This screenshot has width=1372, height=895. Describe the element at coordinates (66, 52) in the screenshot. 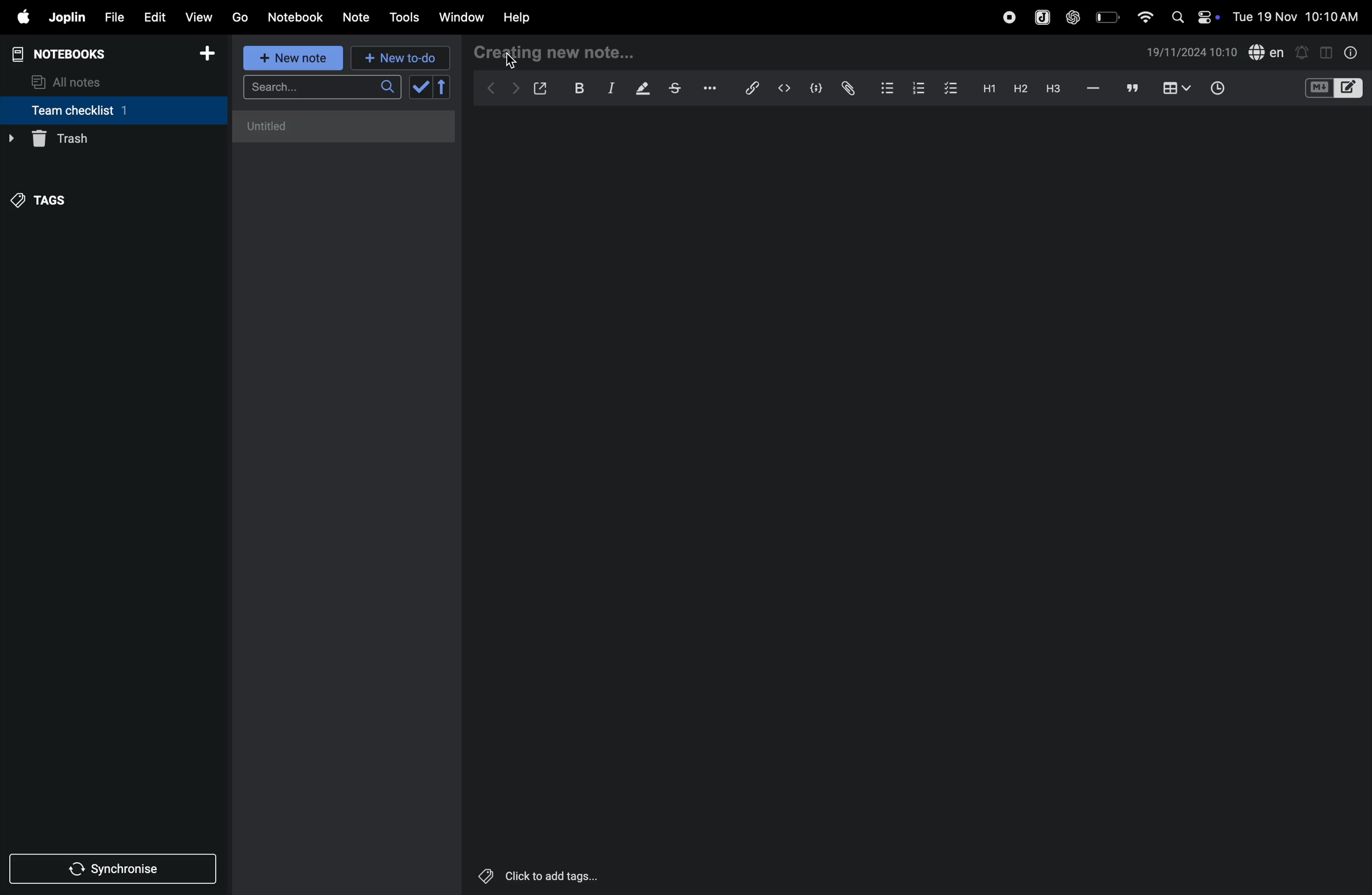

I see `notebooks` at that location.